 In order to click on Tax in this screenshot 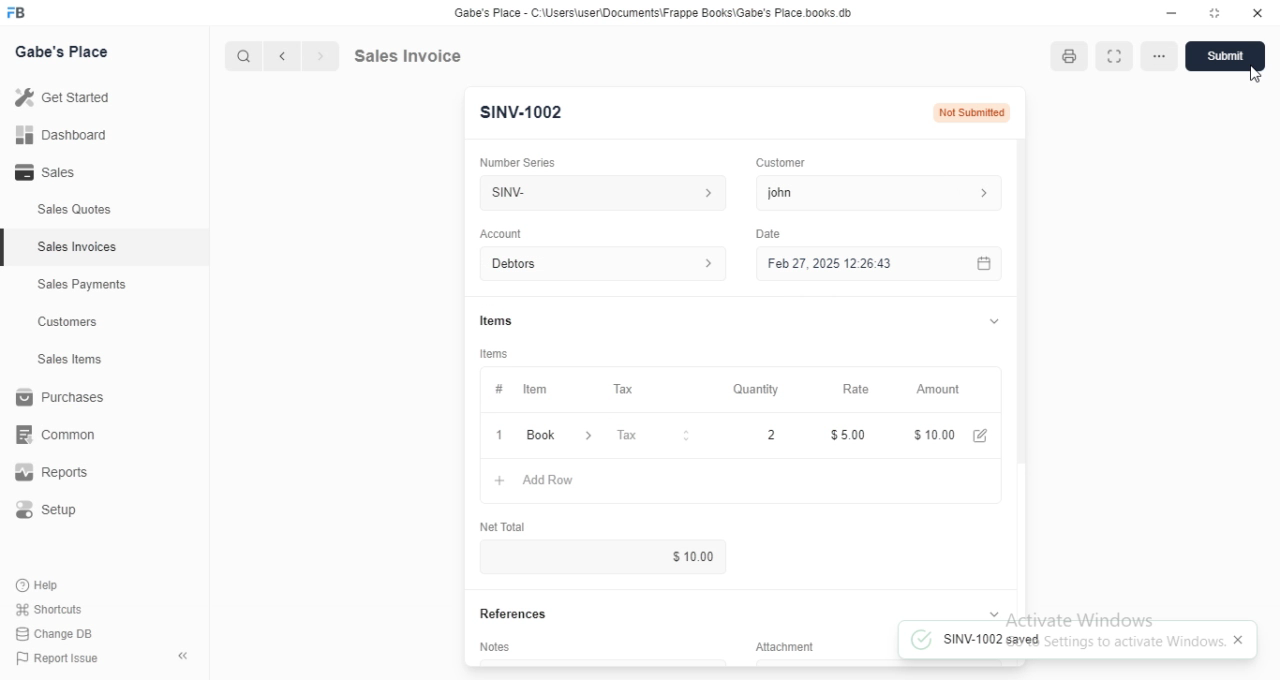, I will do `click(656, 436)`.